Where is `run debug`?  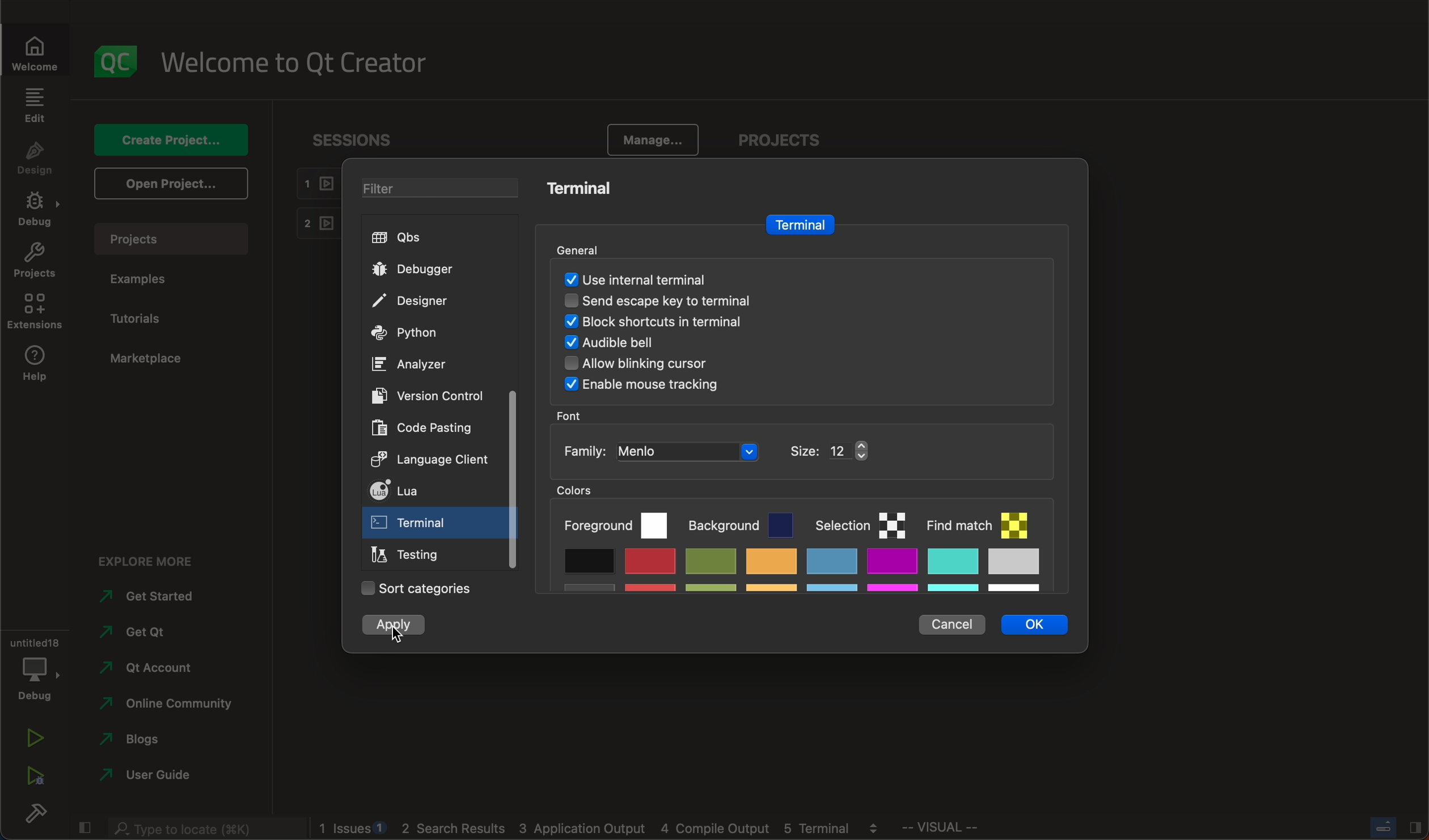 run debug is located at coordinates (33, 780).